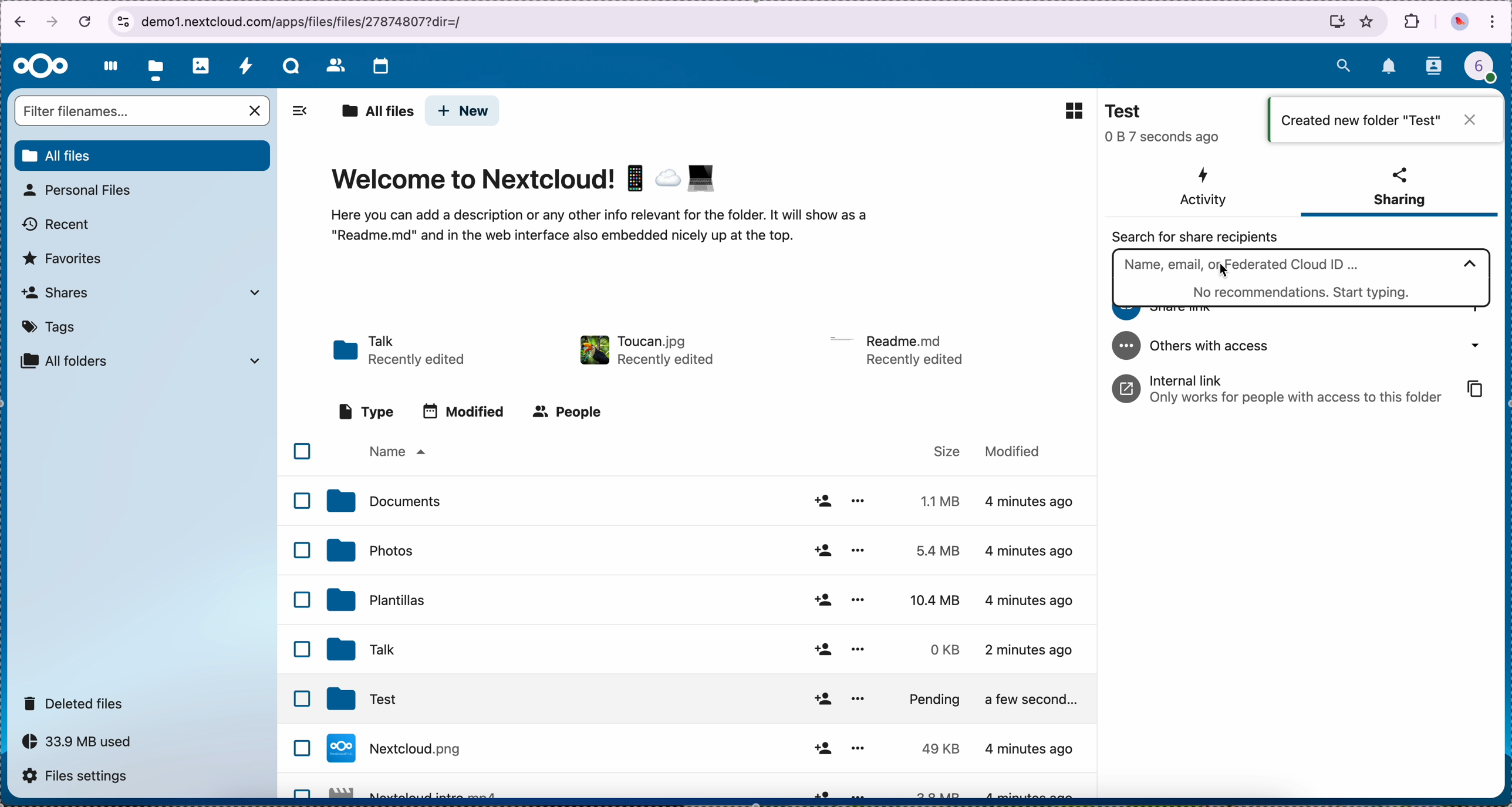 The width and height of the screenshot is (1512, 807). Describe the element at coordinates (83, 745) in the screenshot. I see `capacity` at that location.